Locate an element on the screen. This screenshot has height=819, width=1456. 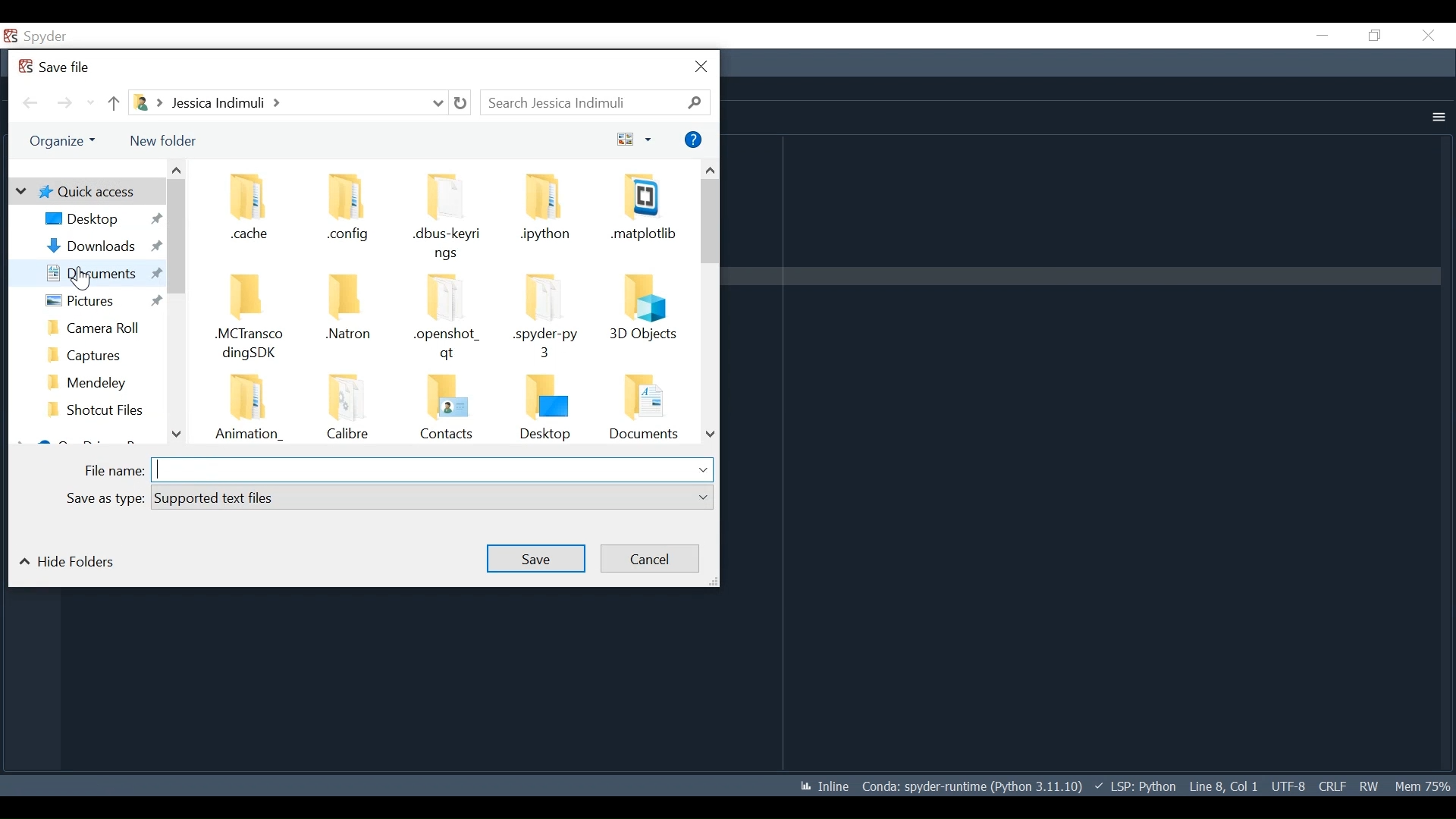
Folder is located at coordinates (343, 210).